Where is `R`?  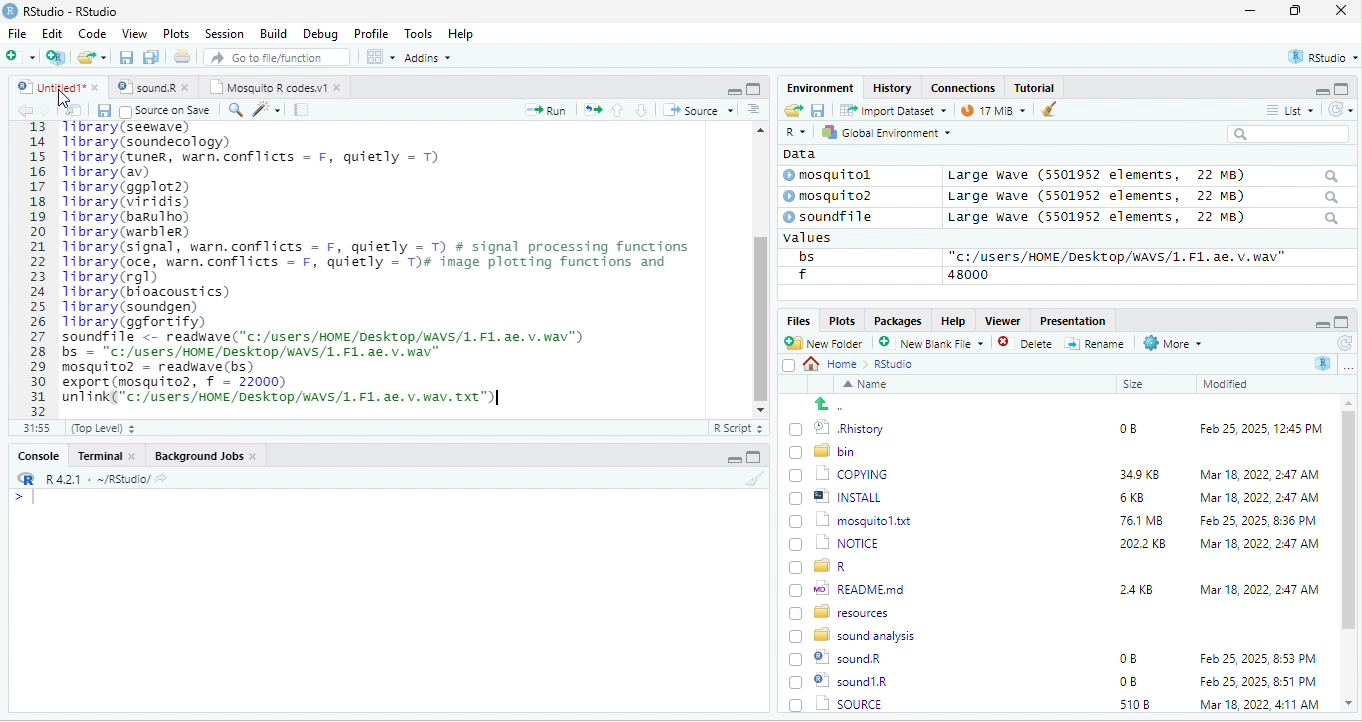
R is located at coordinates (1324, 363).